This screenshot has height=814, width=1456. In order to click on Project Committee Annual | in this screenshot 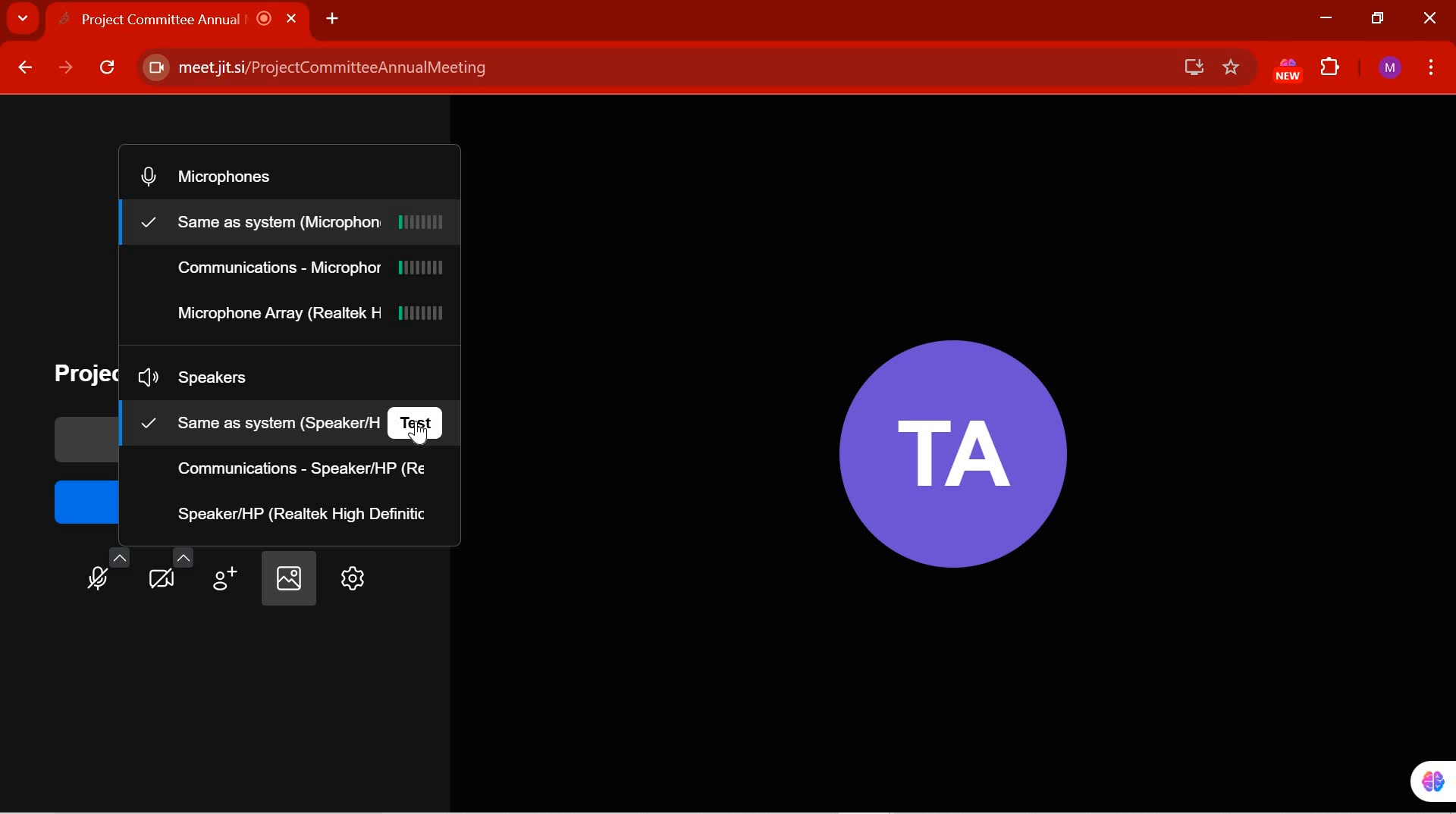, I will do `click(191, 19)`.